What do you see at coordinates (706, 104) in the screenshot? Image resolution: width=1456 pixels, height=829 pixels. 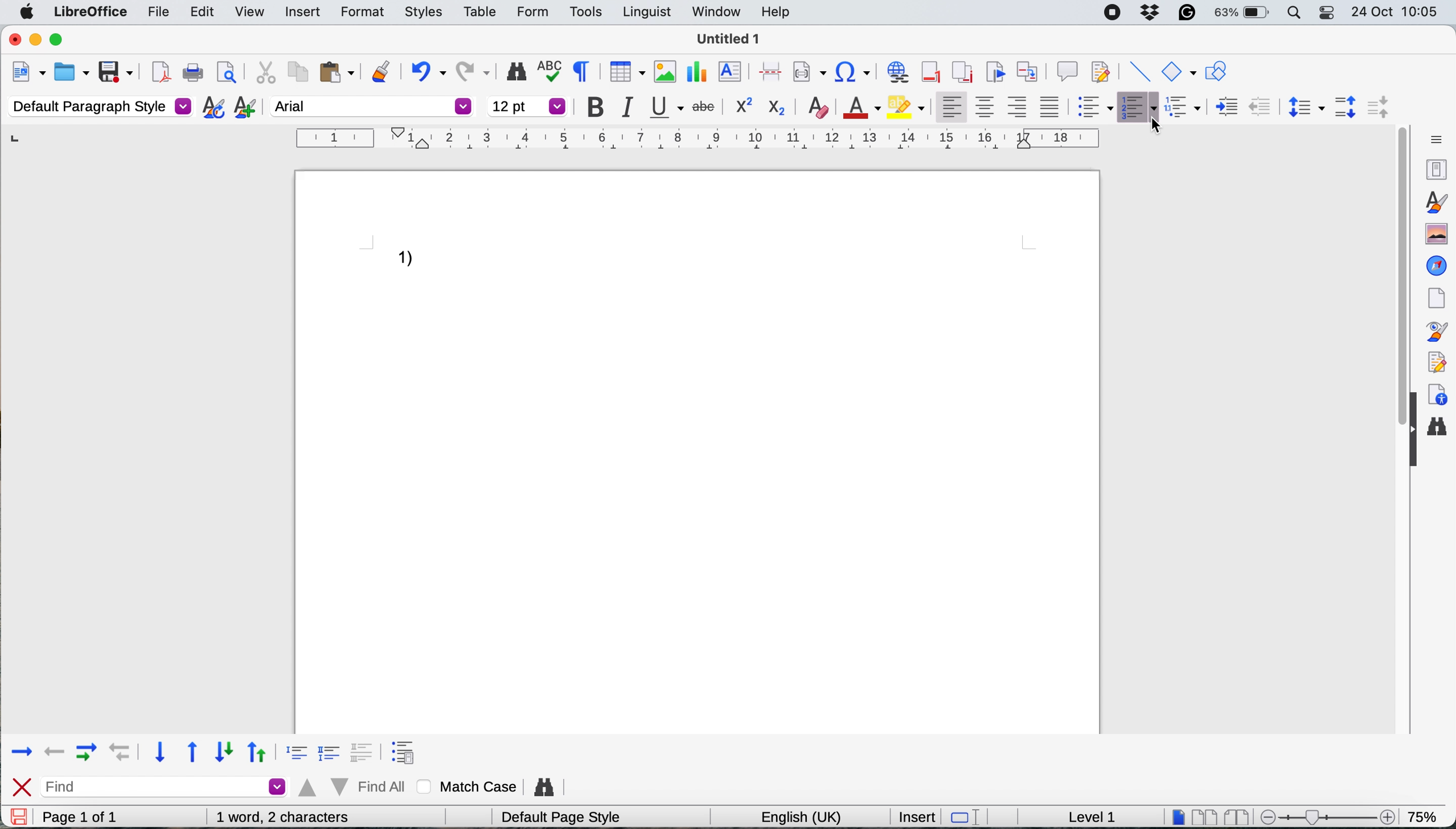 I see `strike through` at bounding box center [706, 104].